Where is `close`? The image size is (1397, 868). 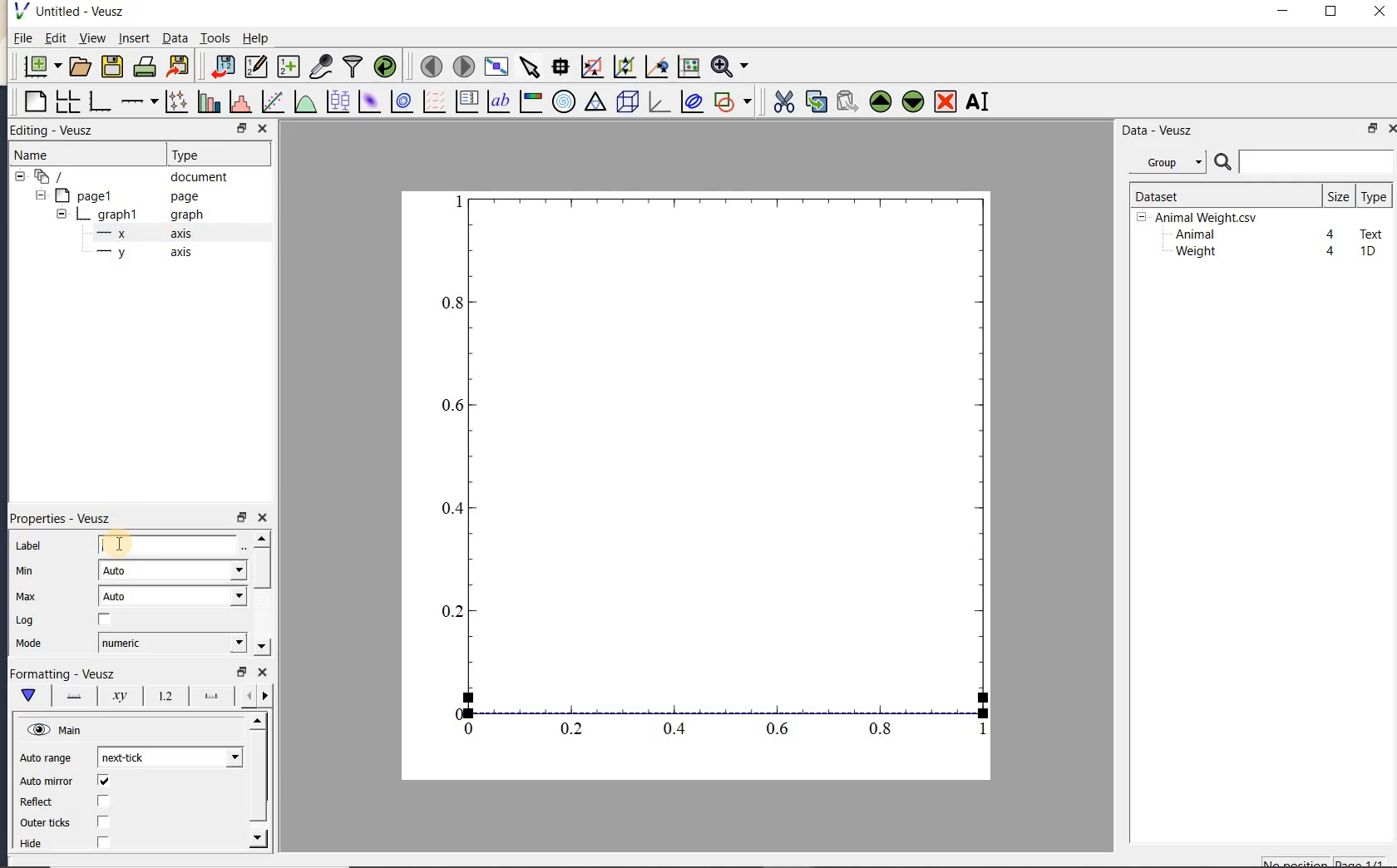 close is located at coordinates (262, 518).